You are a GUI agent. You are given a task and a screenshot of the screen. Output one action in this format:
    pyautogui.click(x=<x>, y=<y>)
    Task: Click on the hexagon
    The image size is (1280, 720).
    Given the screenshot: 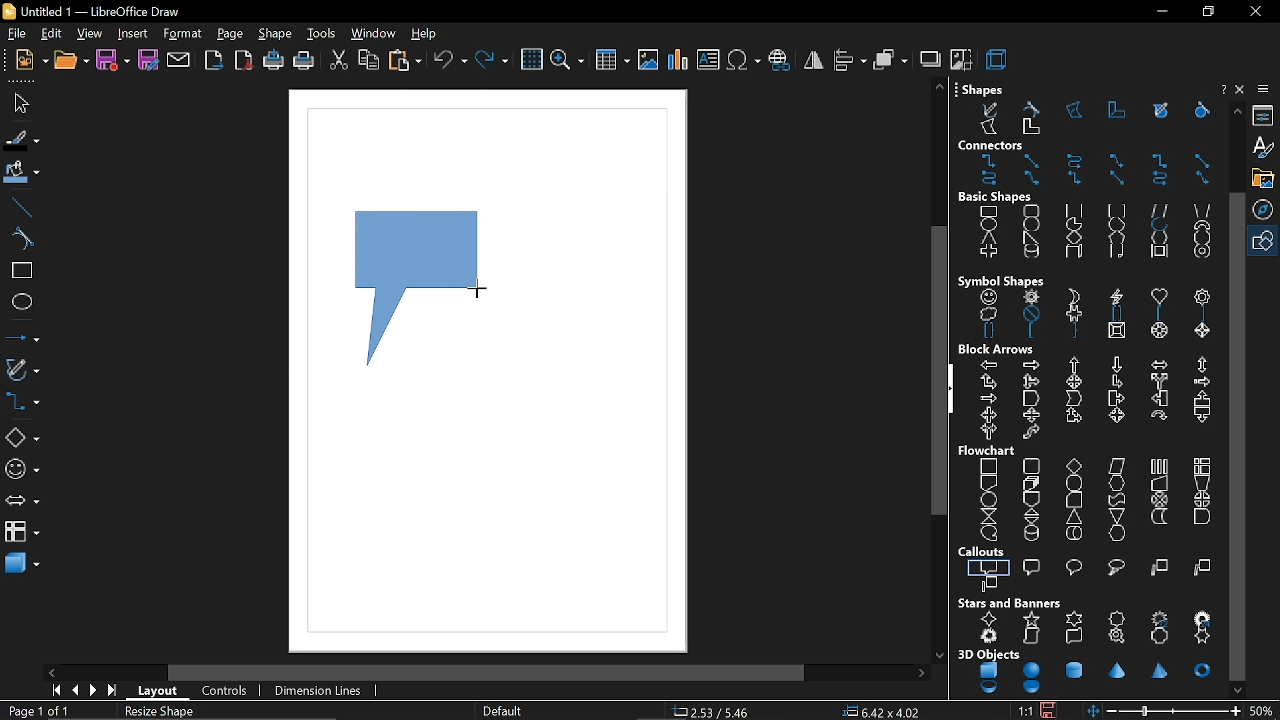 What is the action you would take?
    pyautogui.click(x=1158, y=238)
    